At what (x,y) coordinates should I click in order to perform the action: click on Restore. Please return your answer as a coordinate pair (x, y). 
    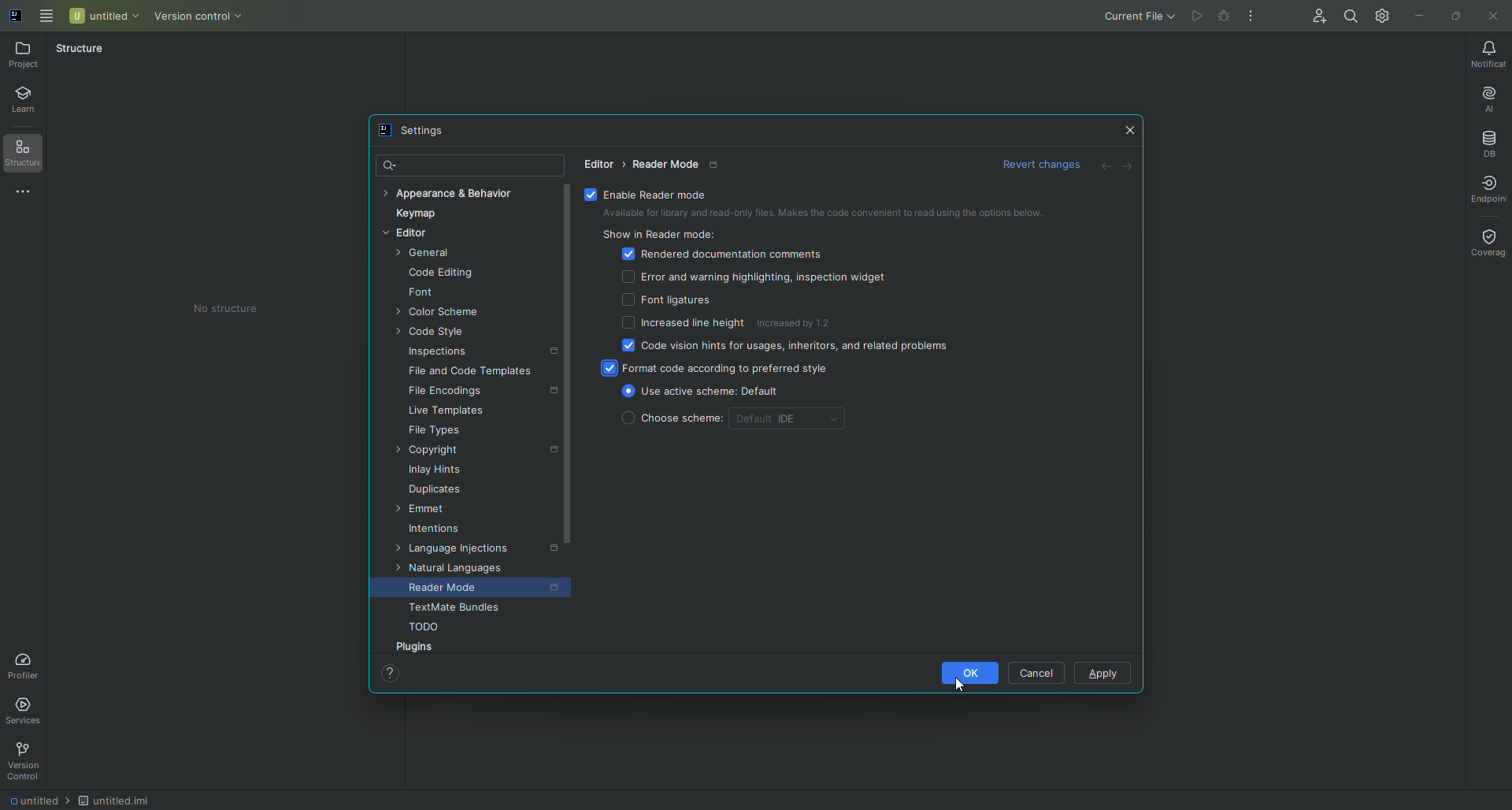
    Looking at the image, I should click on (1459, 15).